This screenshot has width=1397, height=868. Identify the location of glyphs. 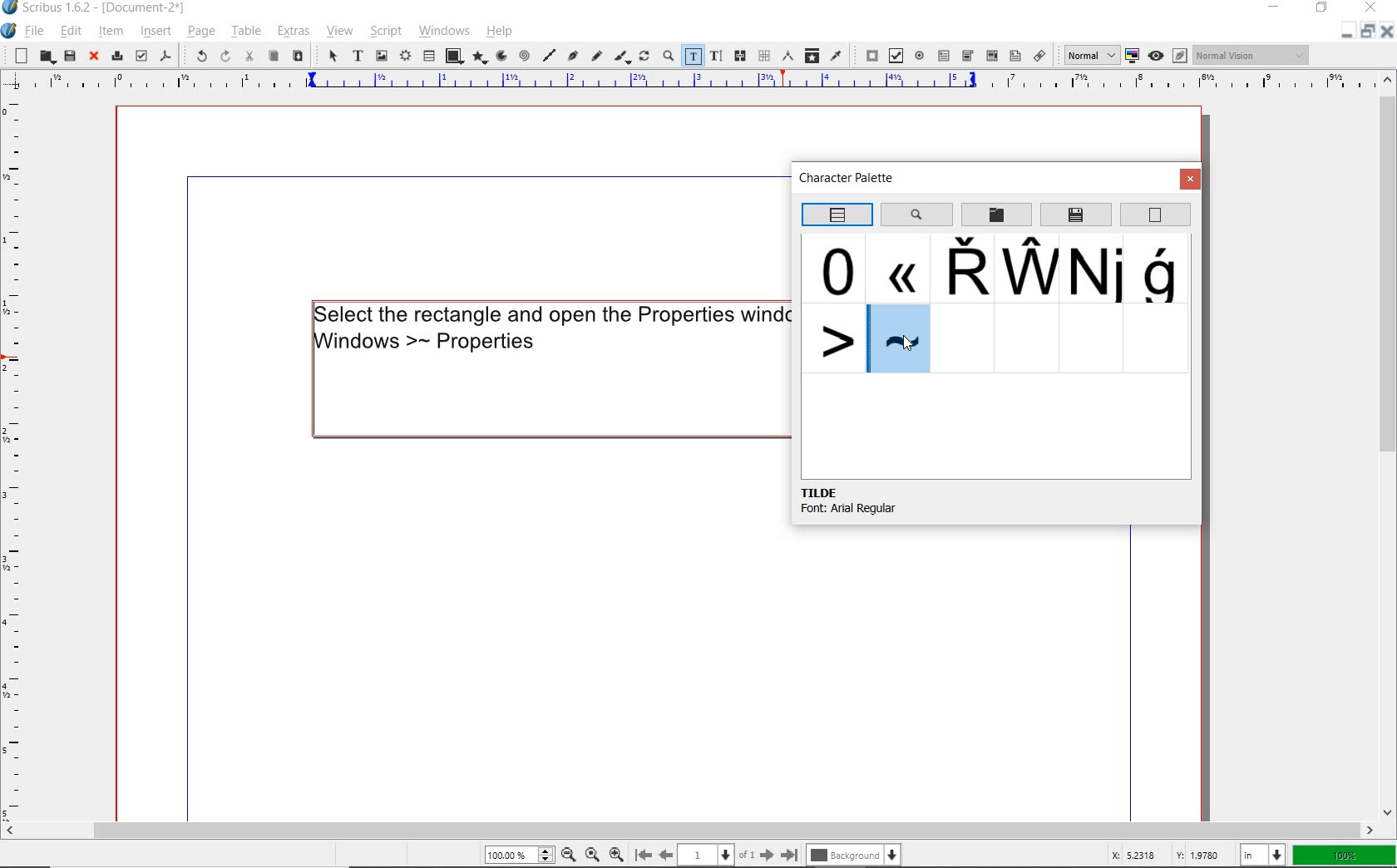
(960, 269).